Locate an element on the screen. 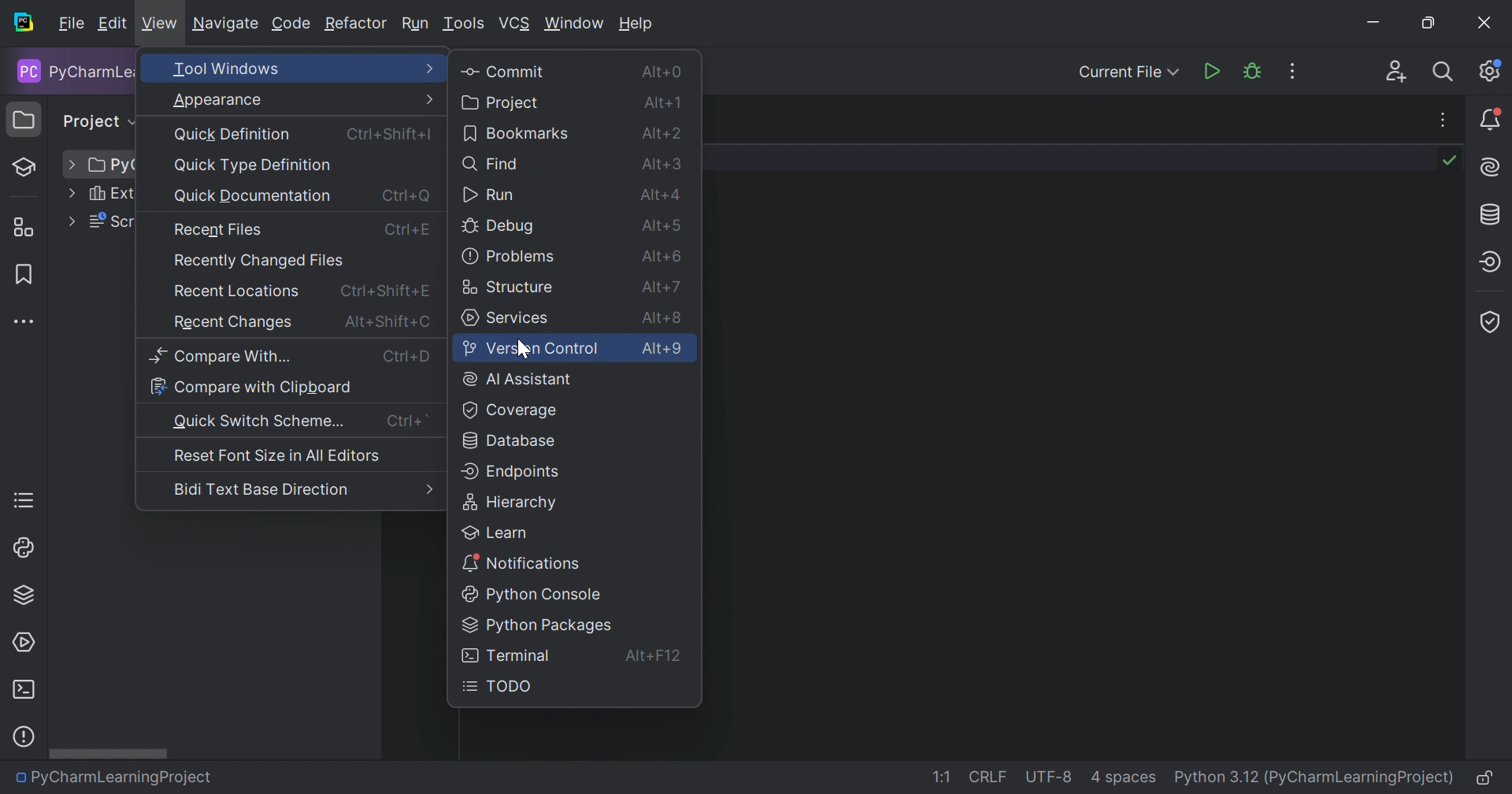 The height and width of the screenshot is (794, 1512). Python Console is located at coordinates (24, 548).